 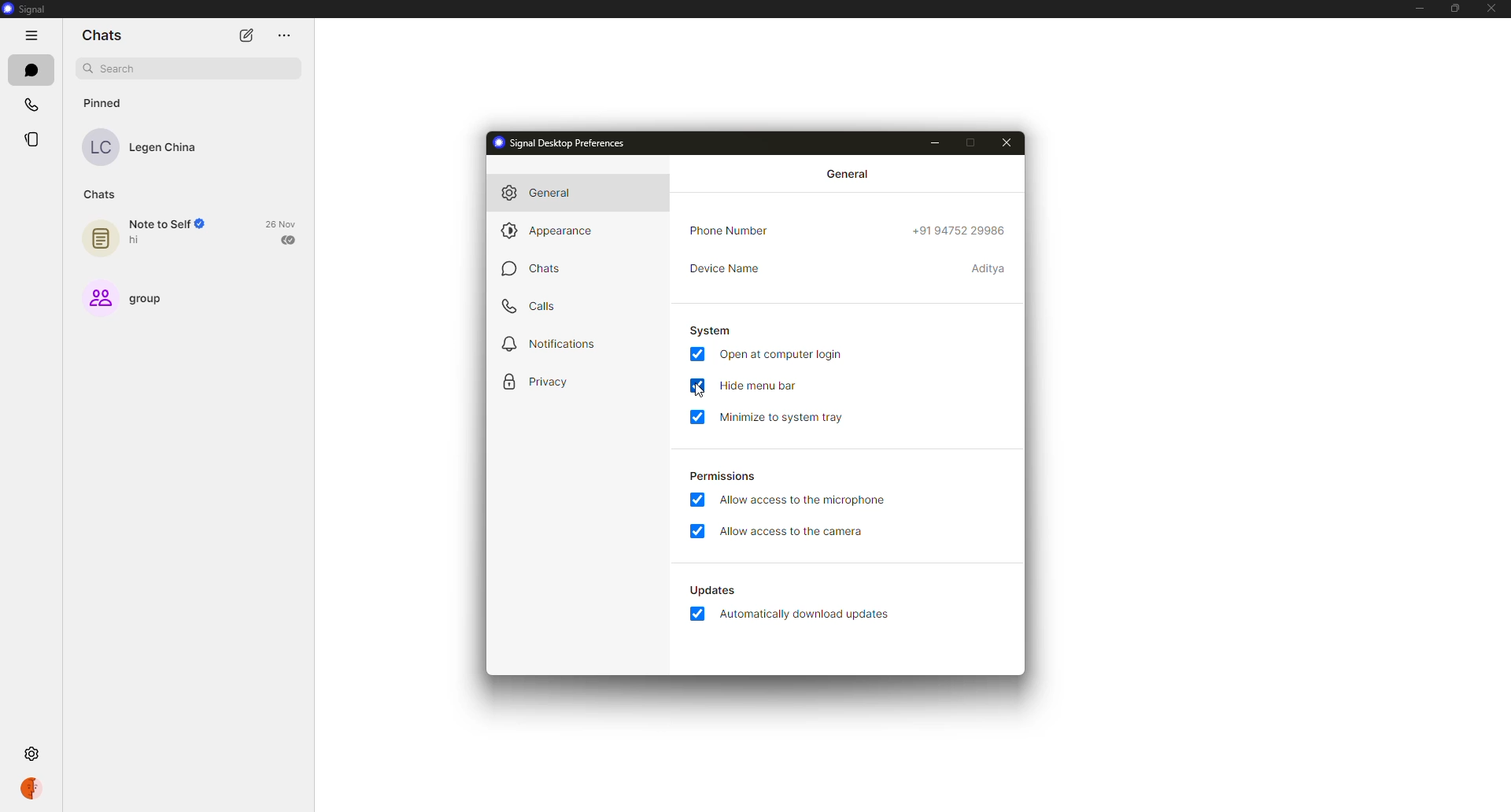 What do you see at coordinates (711, 330) in the screenshot?
I see `system` at bounding box center [711, 330].